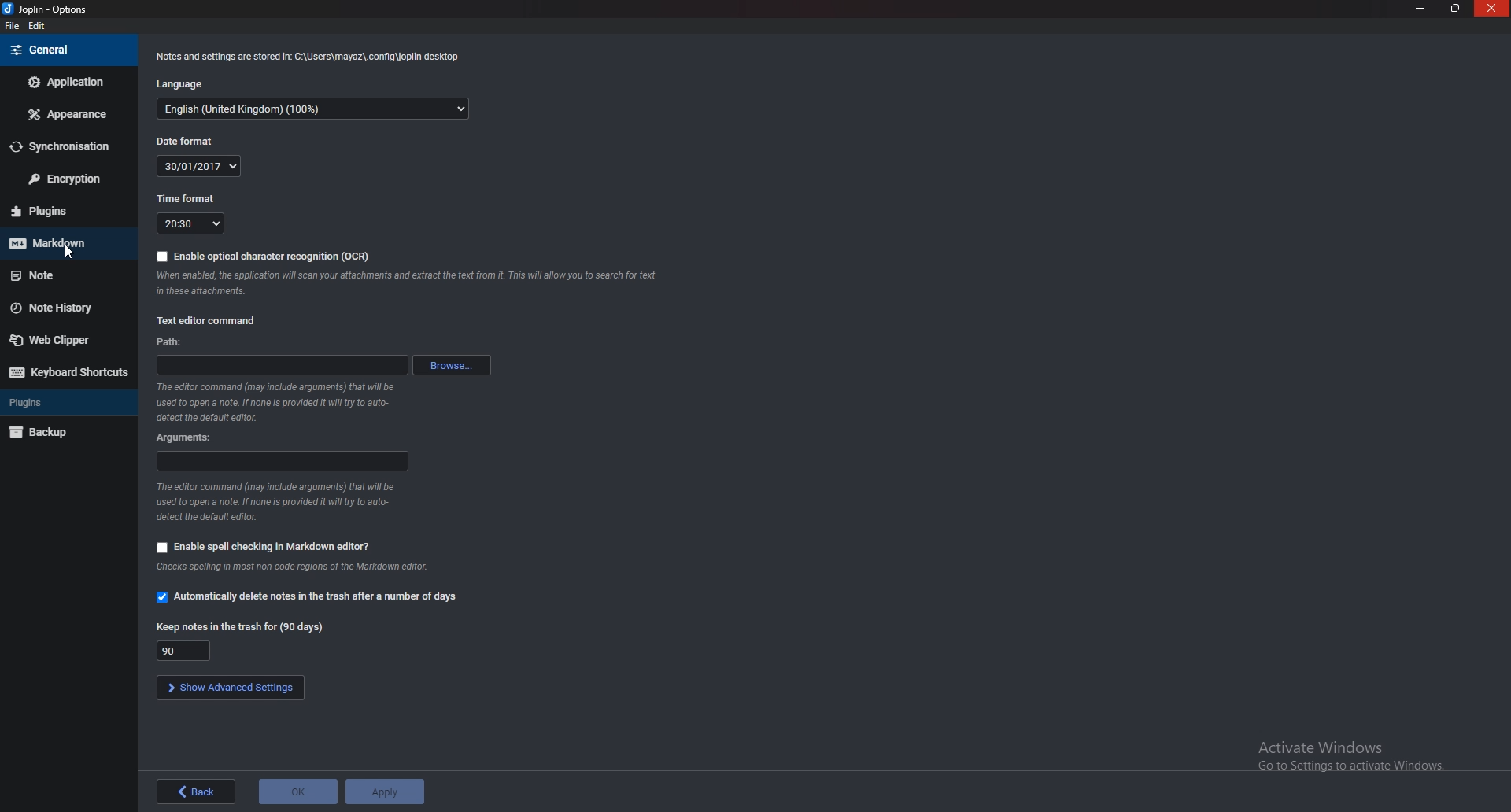  Describe the element at coordinates (192, 223) in the screenshot. I see `Time format` at that location.